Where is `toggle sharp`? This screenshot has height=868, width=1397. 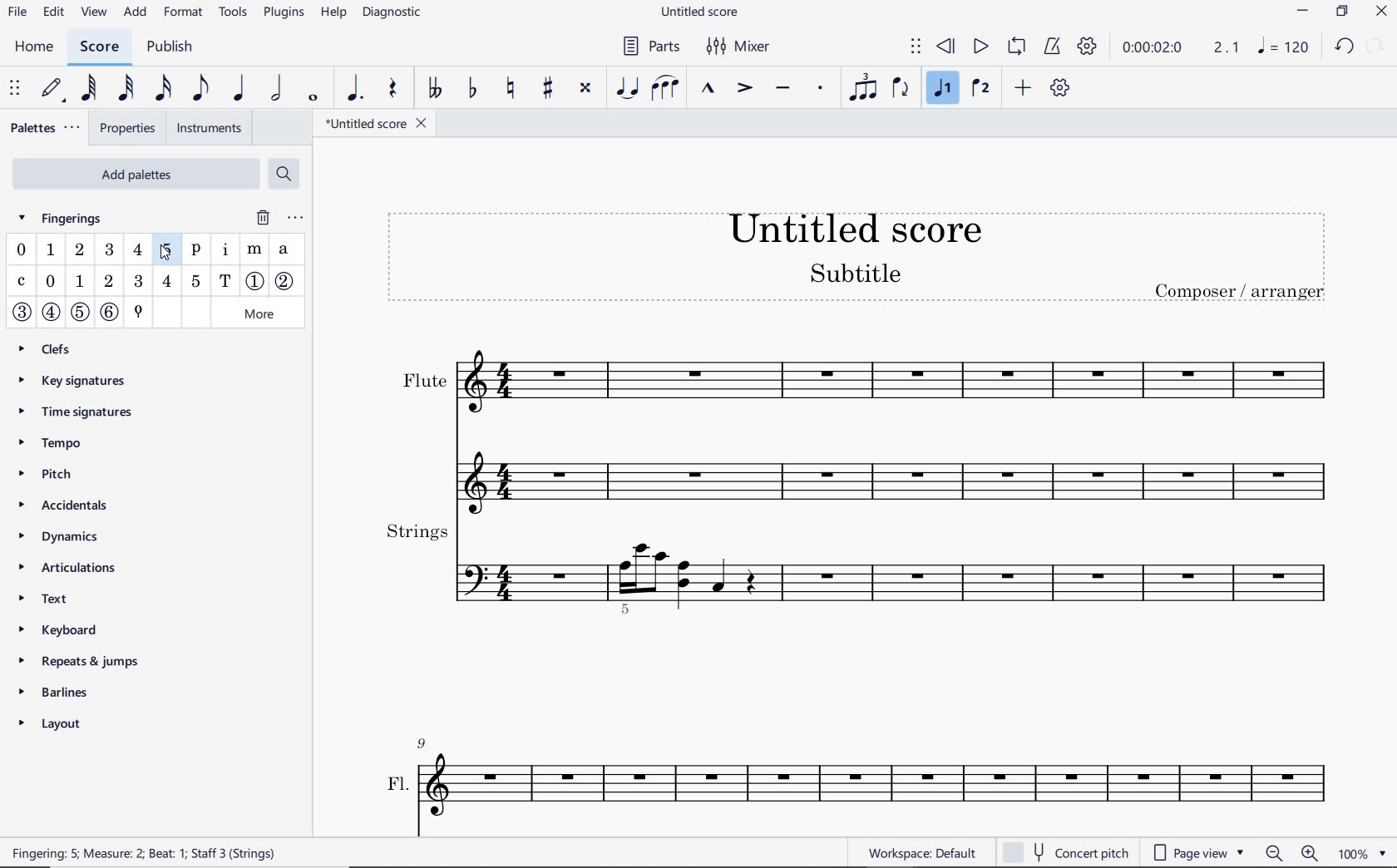 toggle sharp is located at coordinates (547, 88).